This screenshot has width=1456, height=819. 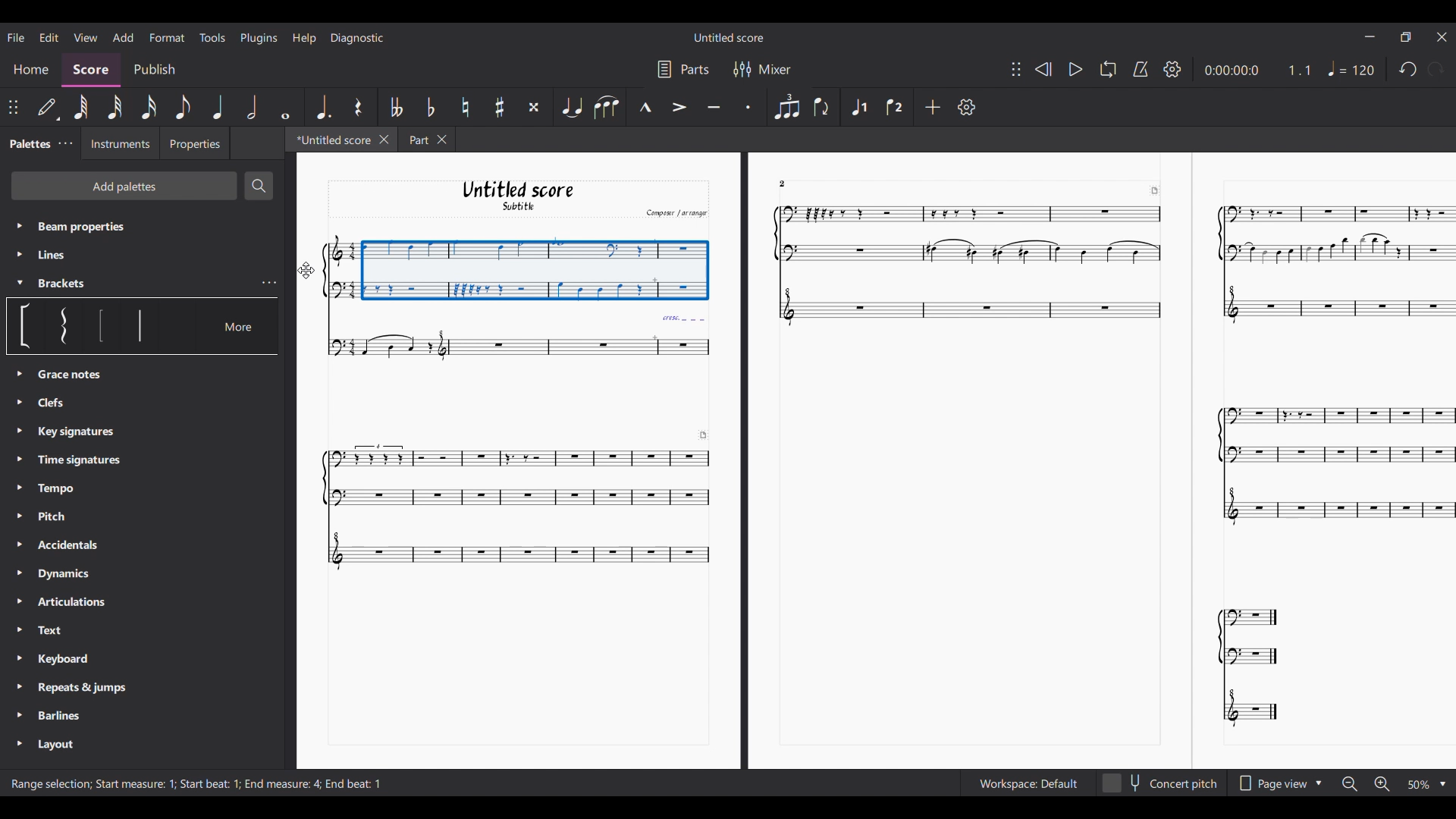 What do you see at coordinates (124, 185) in the screenshot?
I see `Add palette` at bounding box center [124, 185].